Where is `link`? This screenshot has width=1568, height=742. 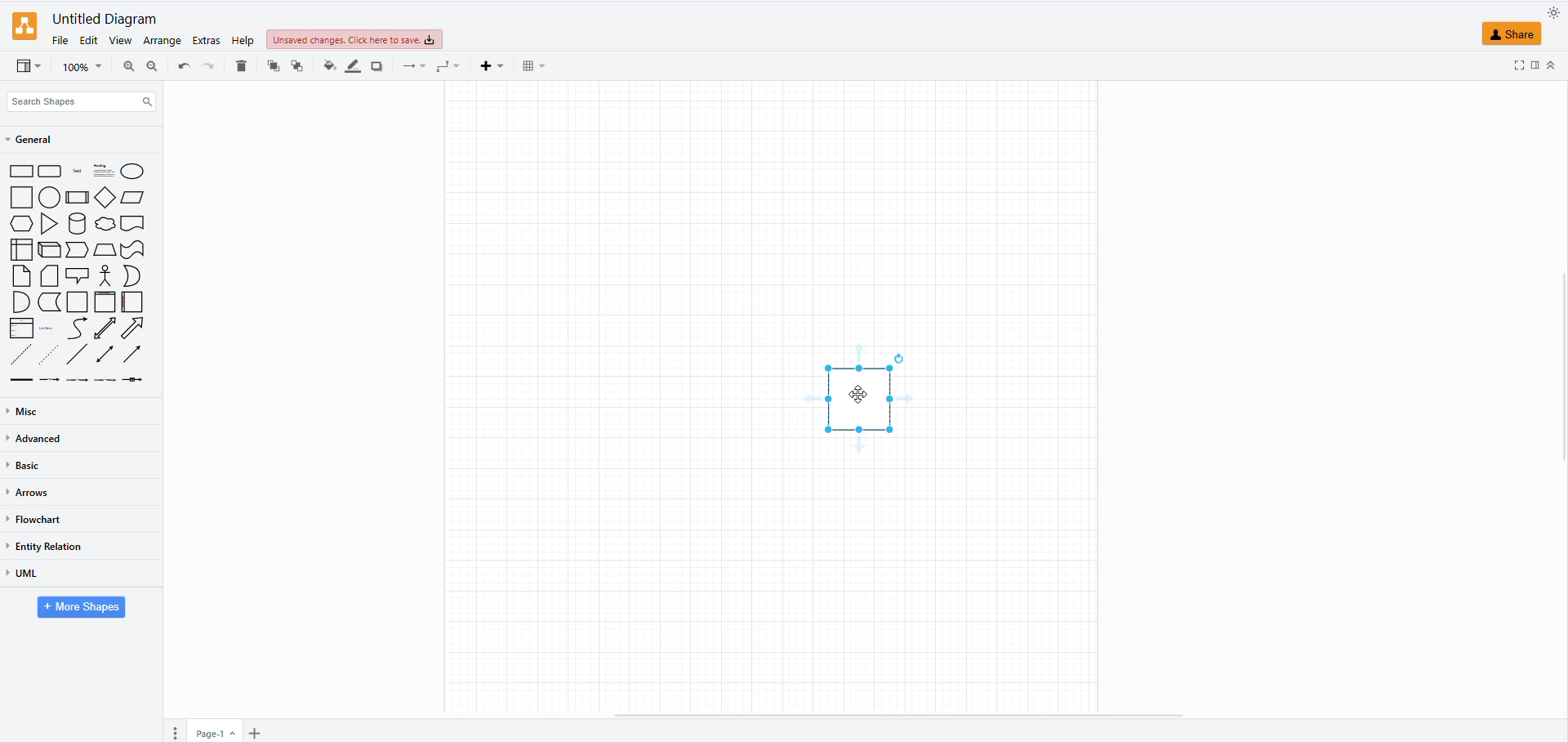 link is located at coordinates (23, 379).